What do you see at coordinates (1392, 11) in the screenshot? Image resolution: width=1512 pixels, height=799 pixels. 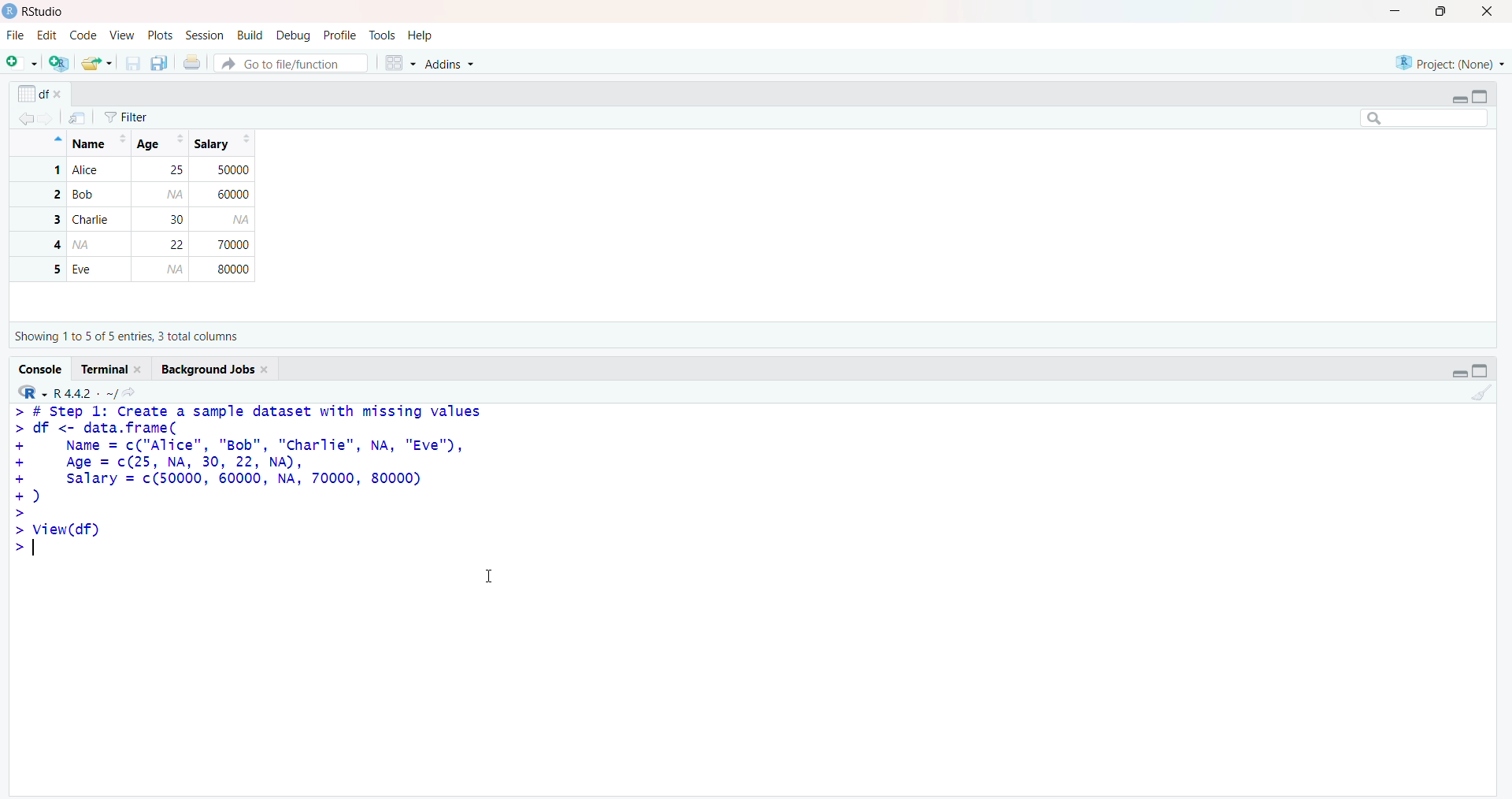 I see `Minimize` at bounding box center [1392, 11].